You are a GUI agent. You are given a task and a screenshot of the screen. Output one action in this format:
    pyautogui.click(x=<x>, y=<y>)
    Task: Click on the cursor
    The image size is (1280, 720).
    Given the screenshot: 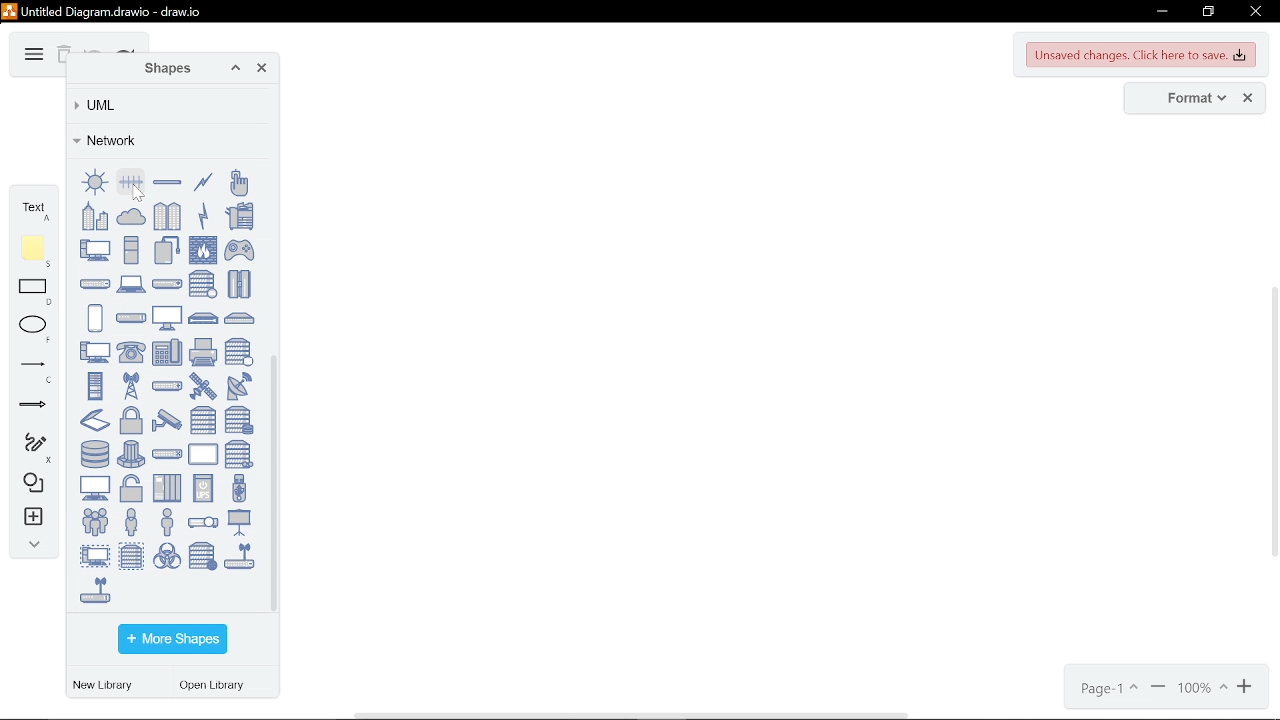 What is the action you would take?
    pyautogui.click(x=138, y=194)
    